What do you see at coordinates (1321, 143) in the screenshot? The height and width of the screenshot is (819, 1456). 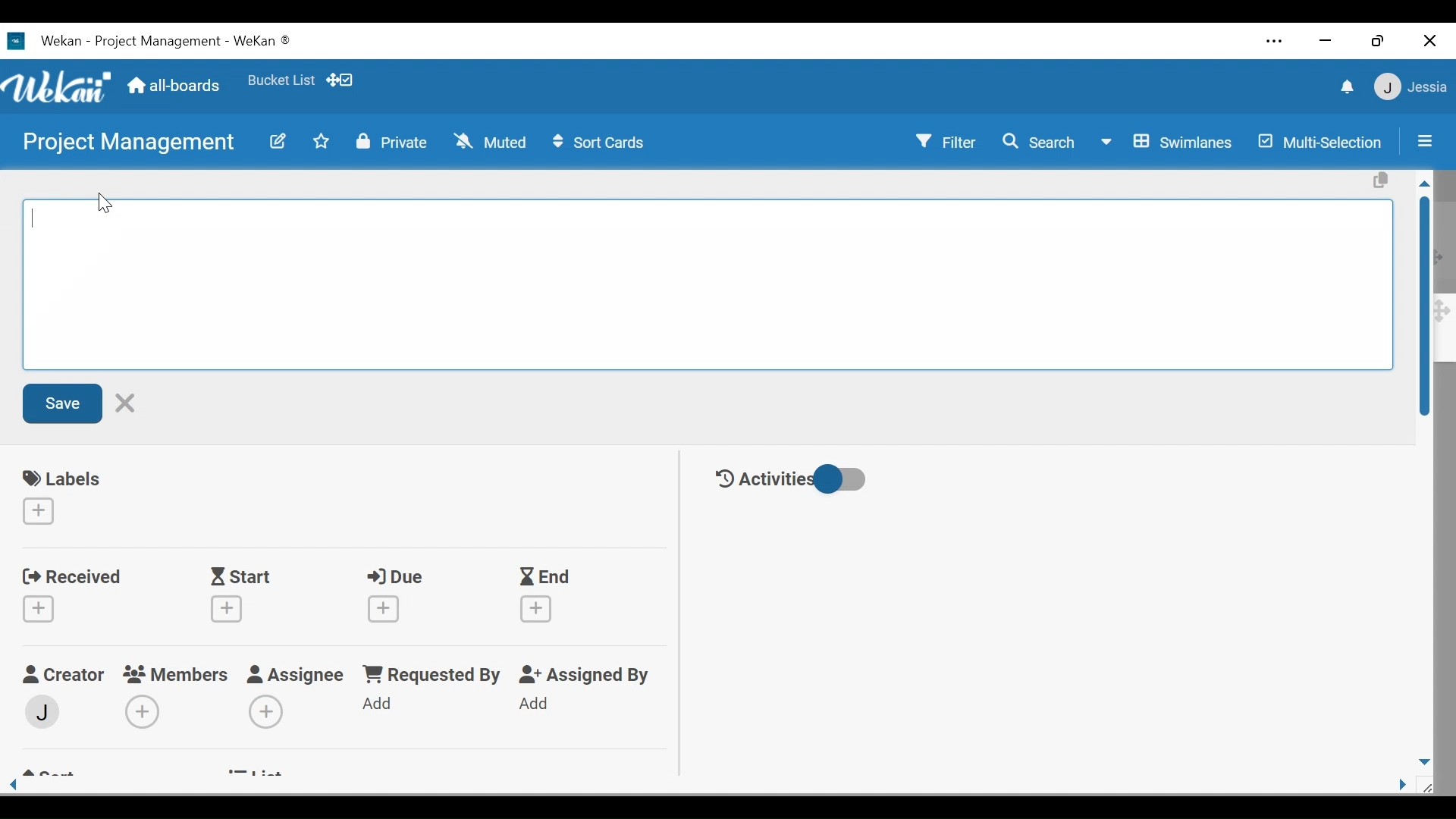 I see `Multi-Selection` at bounding box center [1321, 143].